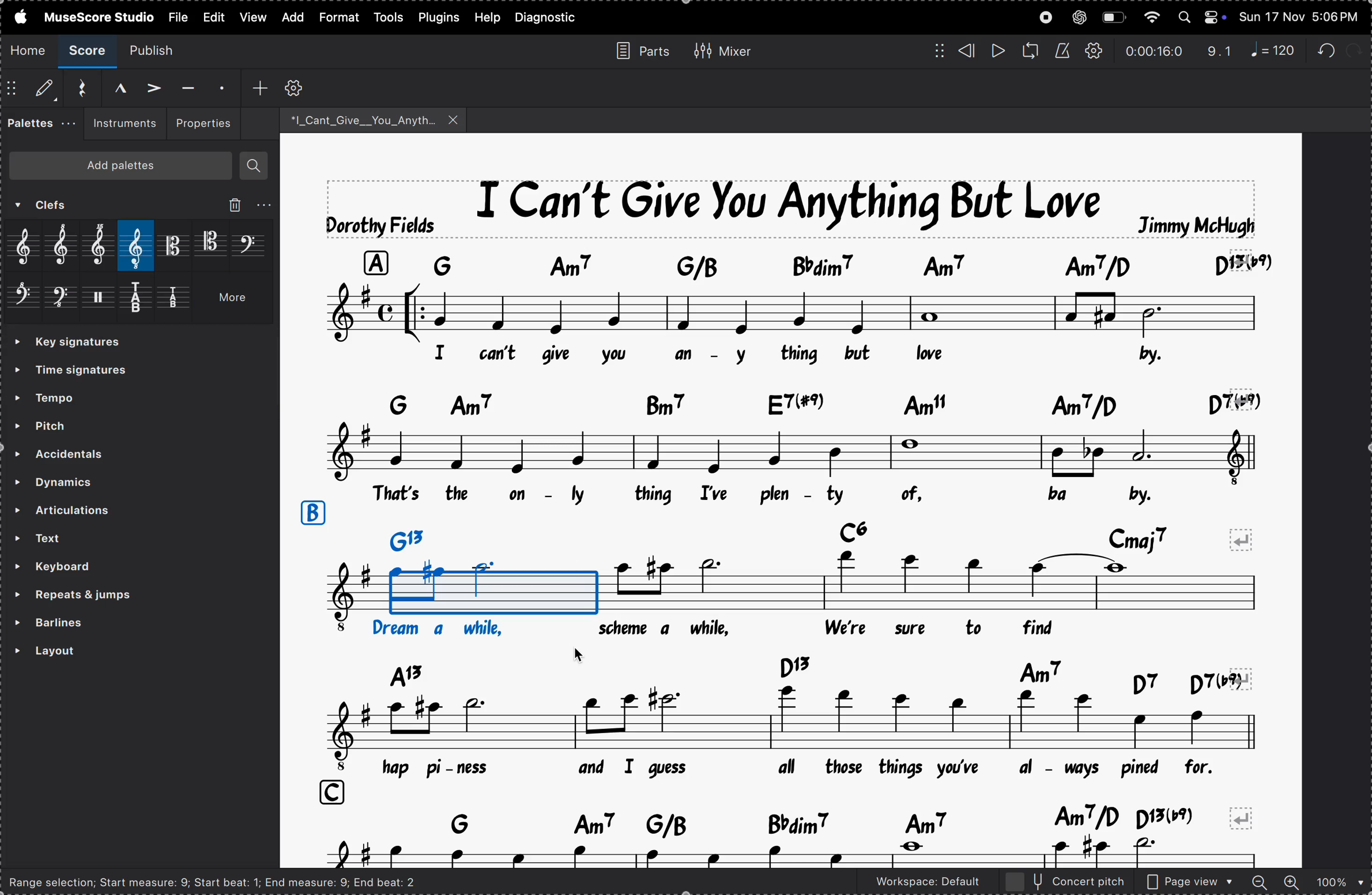 The image size is (1372, 895). Describe the element at coordinates (296, 87) in the screenshot. I see `customize toolbar` at that location.